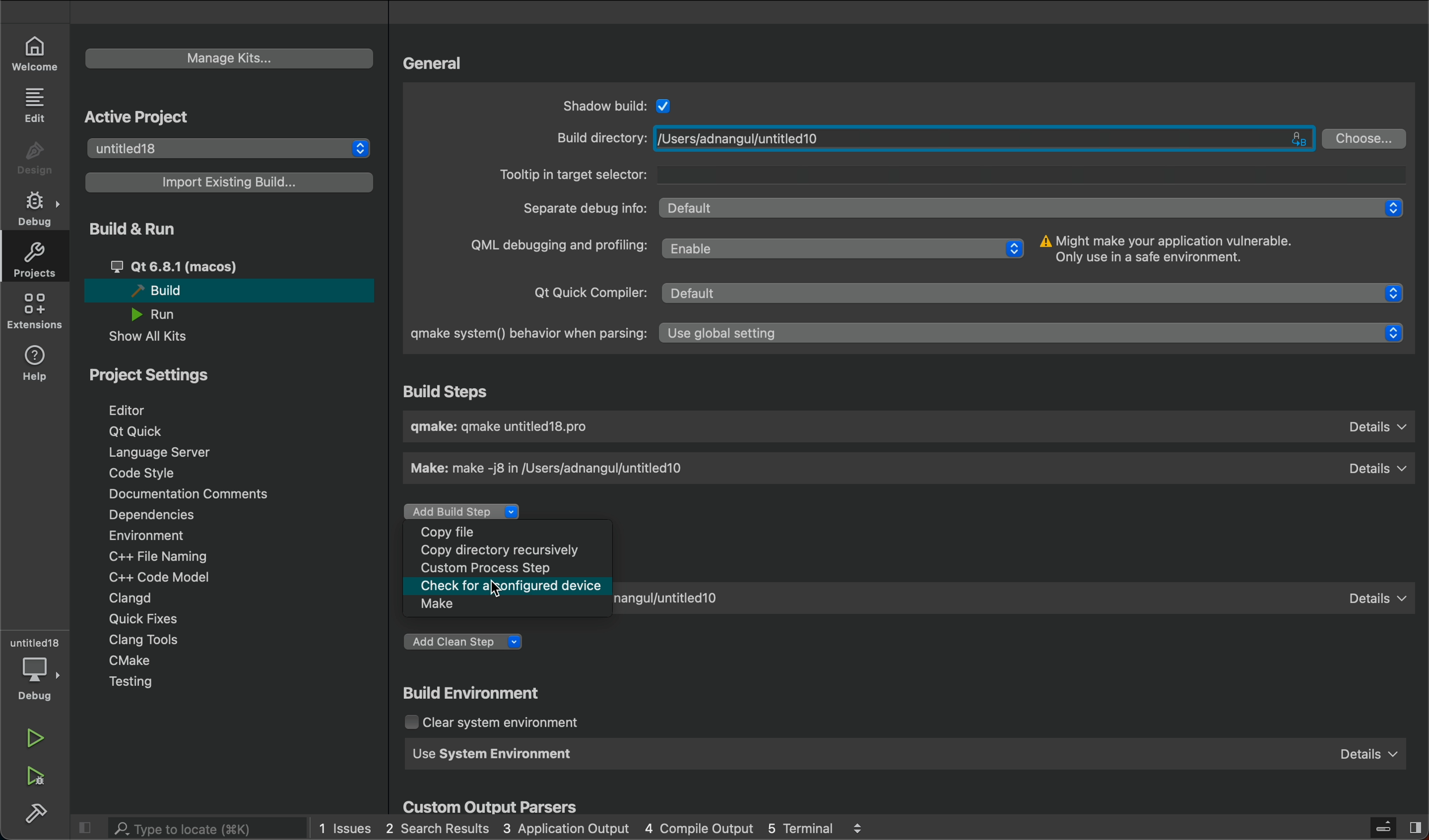 The width and height of the screenshot is (1429, 840). Describe the element at coordinates (450, 390) in the screenshot. I see `Build Steps` at that location.